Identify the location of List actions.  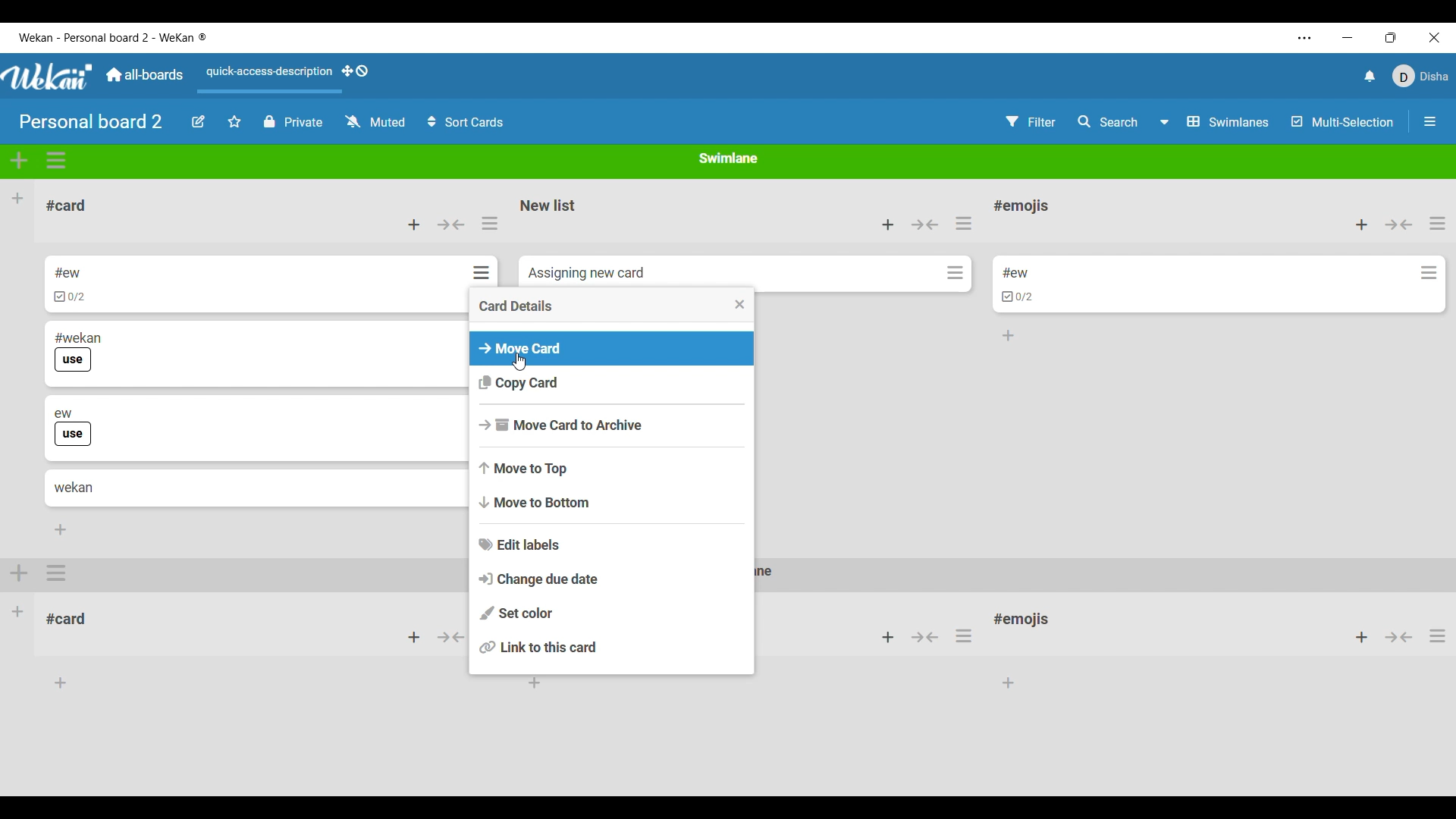
(963, 223).